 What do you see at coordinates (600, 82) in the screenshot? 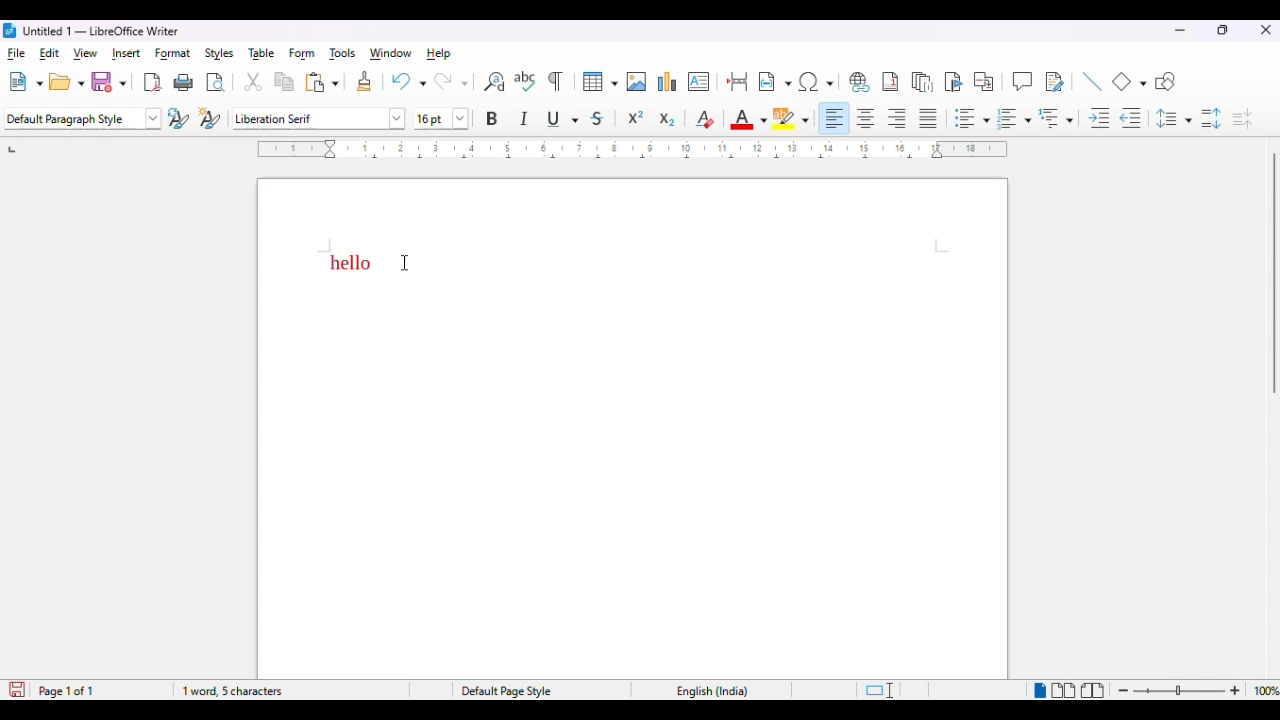
I see `insert table` at bounding box center [600, 82].